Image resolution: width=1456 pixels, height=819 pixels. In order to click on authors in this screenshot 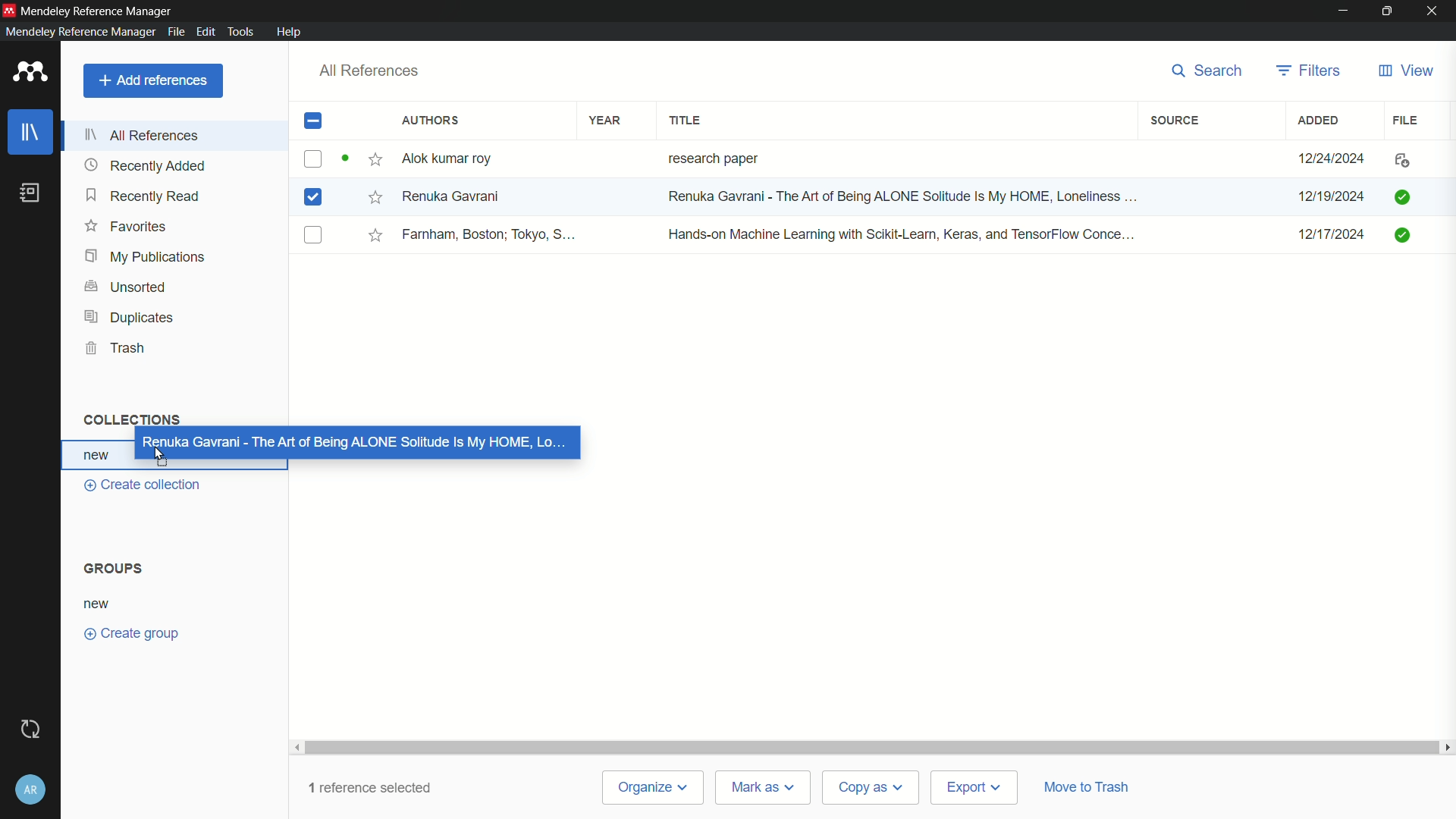, I will do `click(434, 121)`.